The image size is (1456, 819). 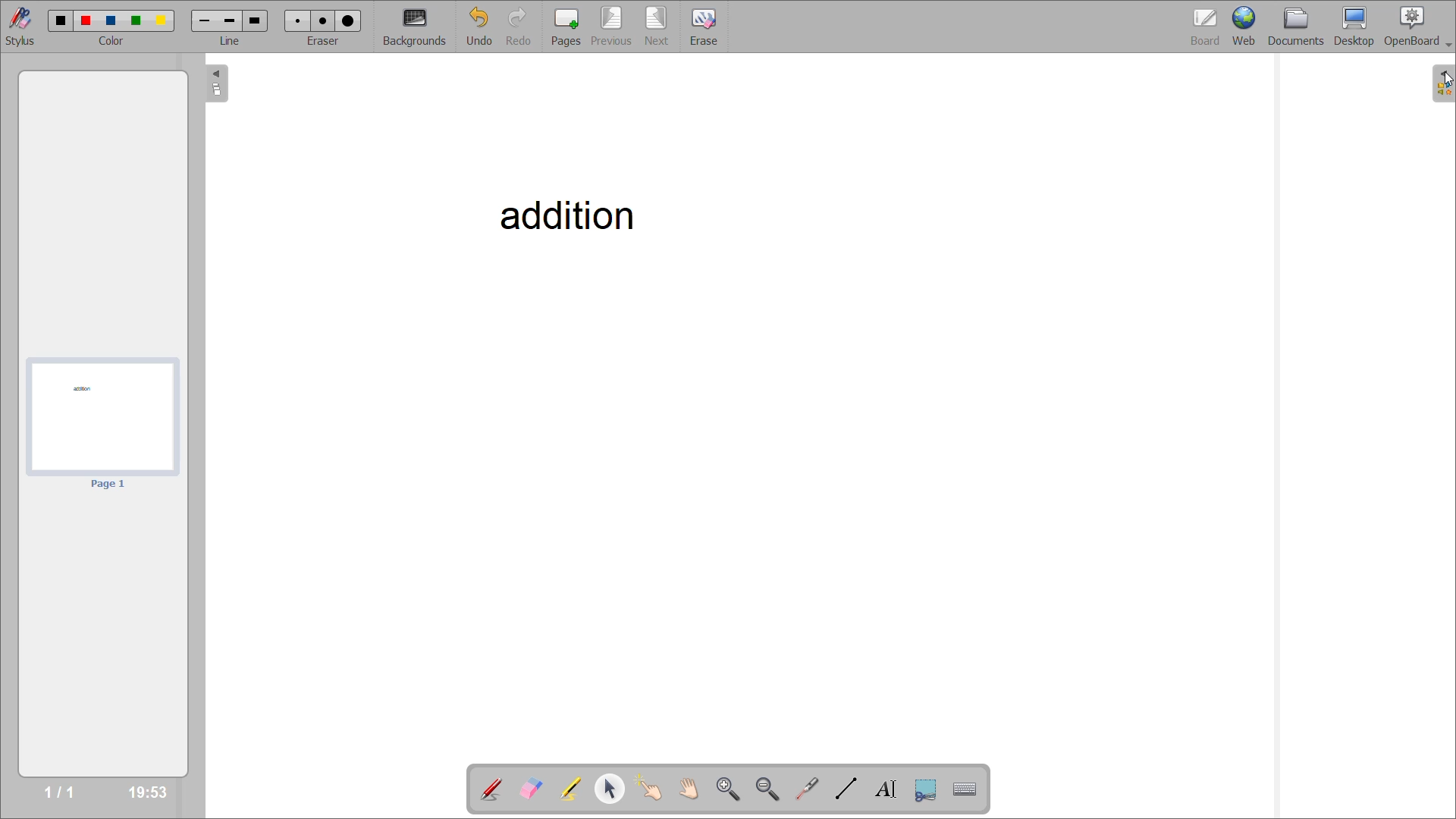 What do you see at coordinates (1443, 86) in the screenshot?
I see `expand pane` at bounding box center [1443, 86].